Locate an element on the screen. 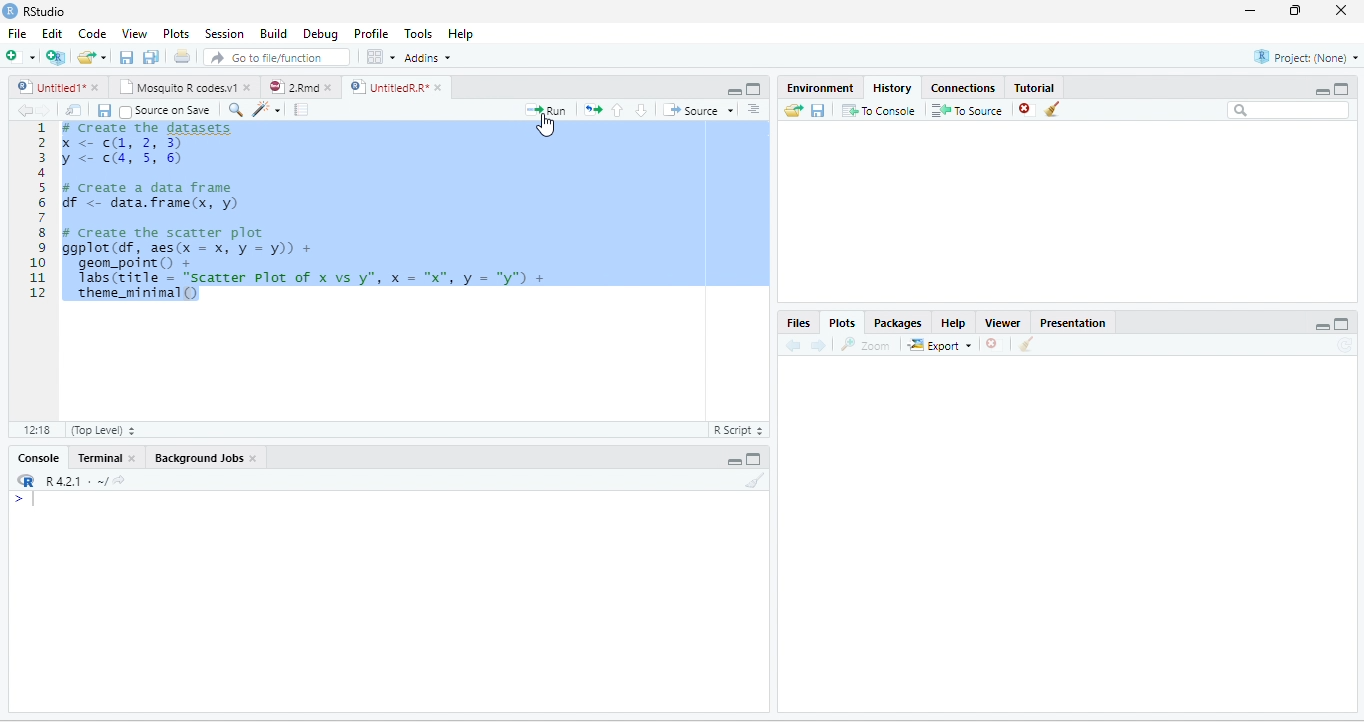 The image size is (1364, 722). To Console is located at coordinates (879, 111).